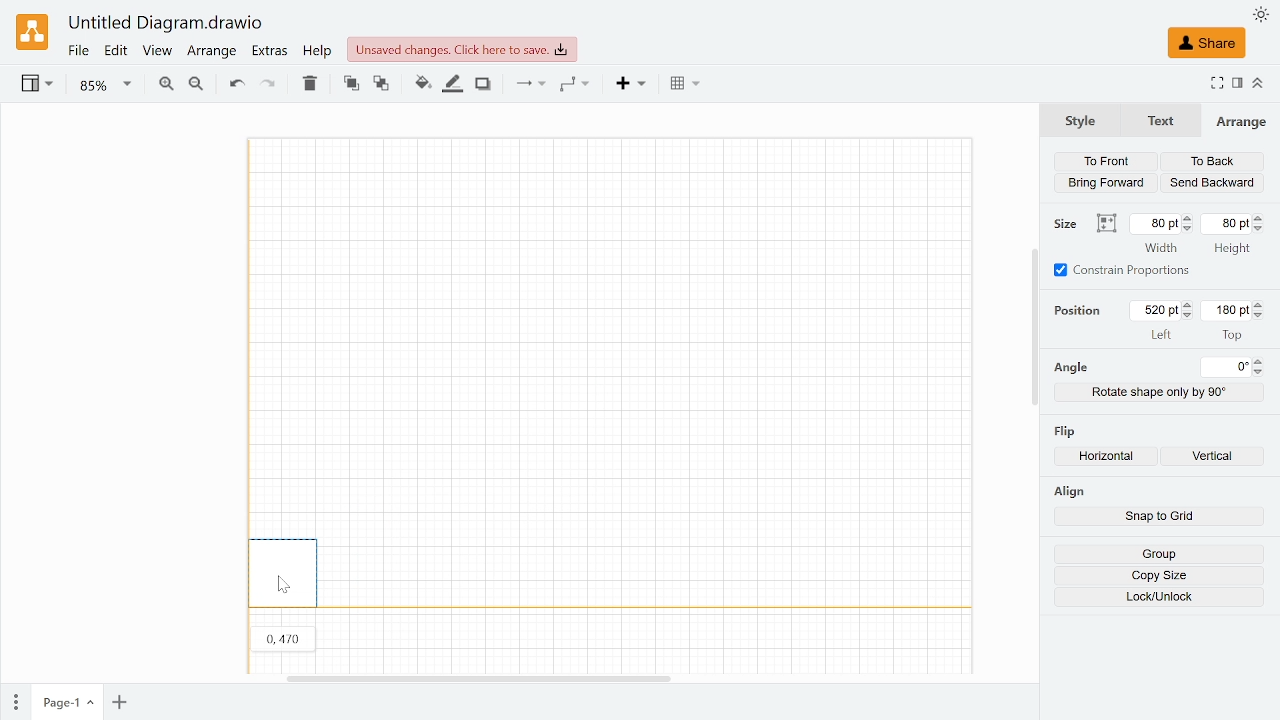 This screenshot has height=720, width=1280. I want to click on Delete, so click(309, 83).